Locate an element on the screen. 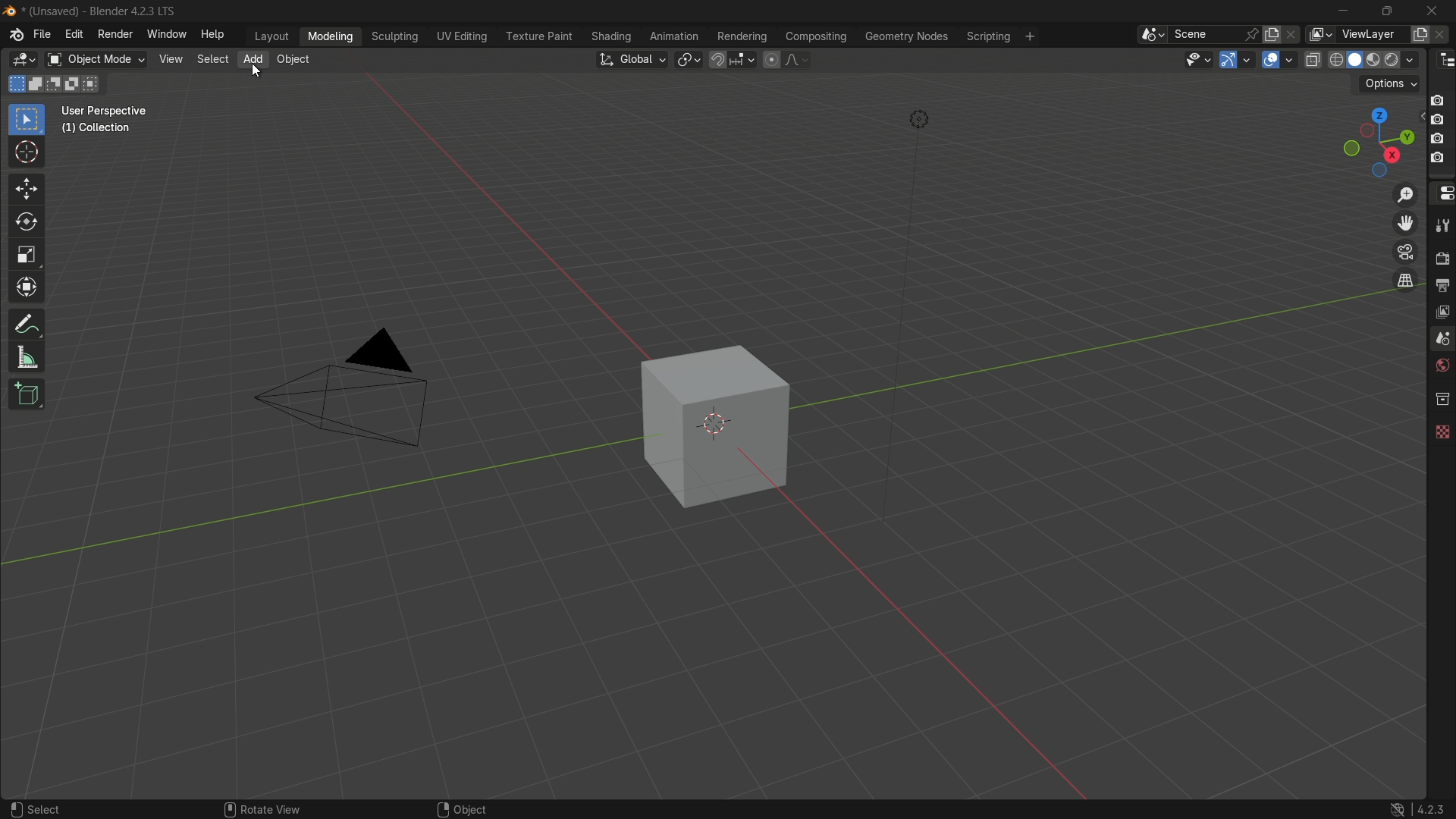 The height and width of the screenshot is (819, 1456). rotate and preset viewpoint is located at coordinates (1375, 140).